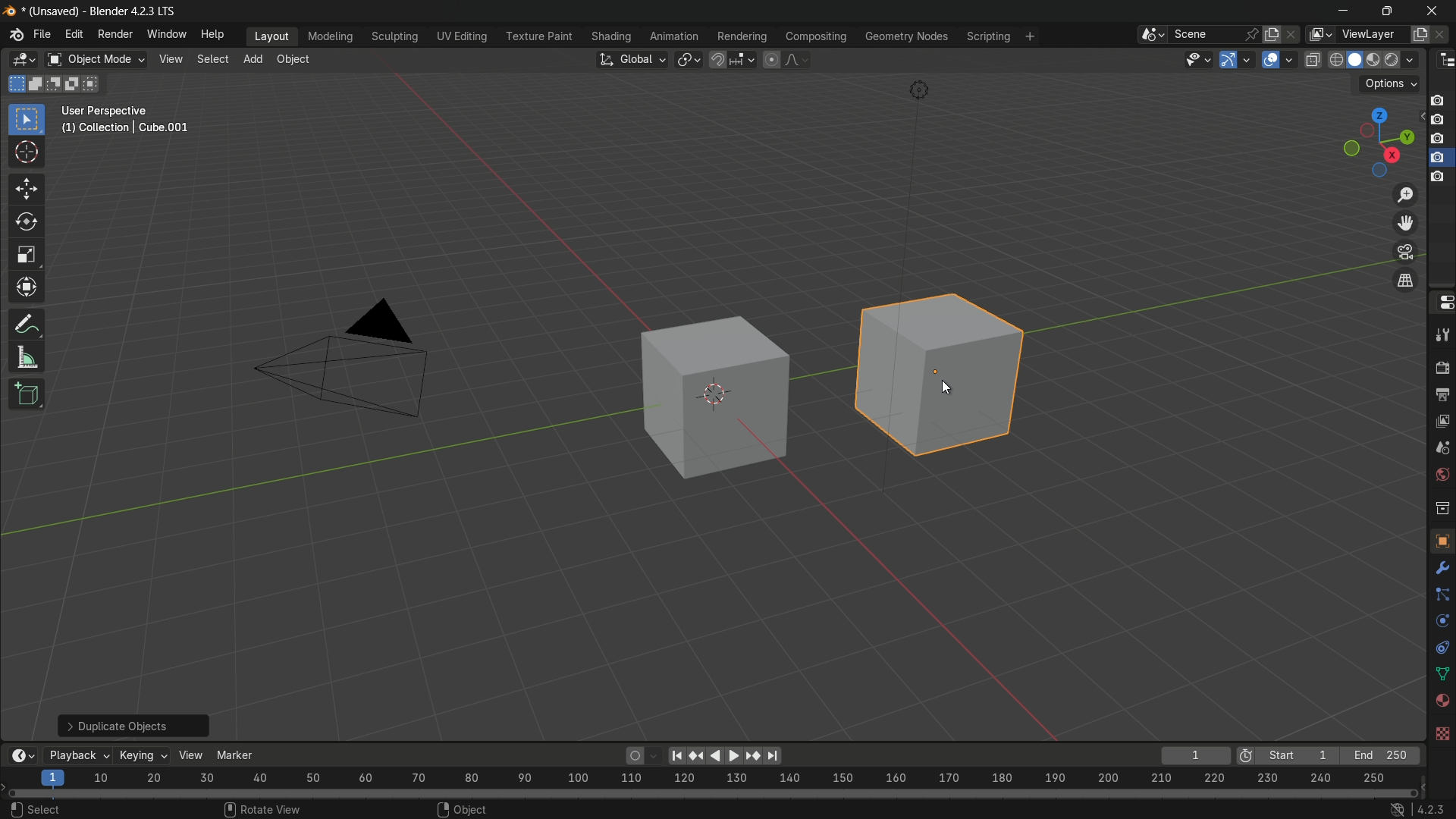  Describe the element at coordinates (772, 58) in the screenshot. I see `propotional editing object` at that location.